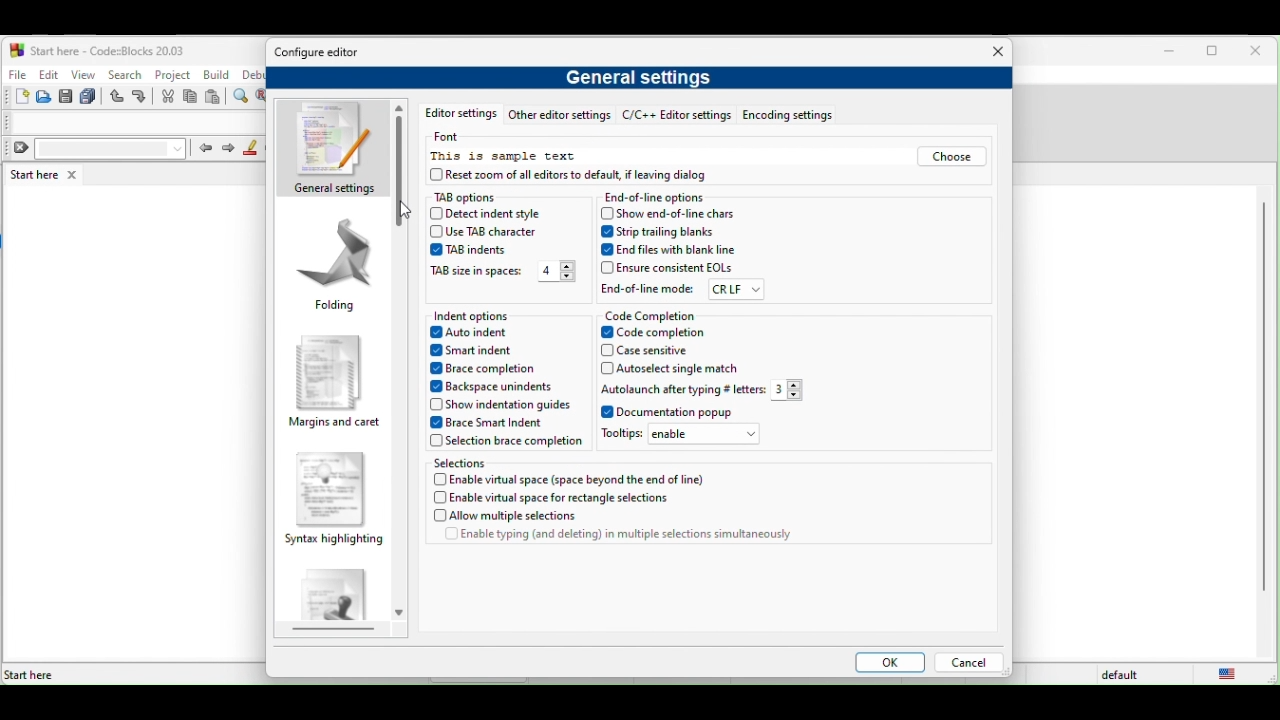 Image resolution: width=1280 pixels, height=720 pixels. Describe the element at coordinates (886, 664) in the screenshot. I see `ok` at that location.